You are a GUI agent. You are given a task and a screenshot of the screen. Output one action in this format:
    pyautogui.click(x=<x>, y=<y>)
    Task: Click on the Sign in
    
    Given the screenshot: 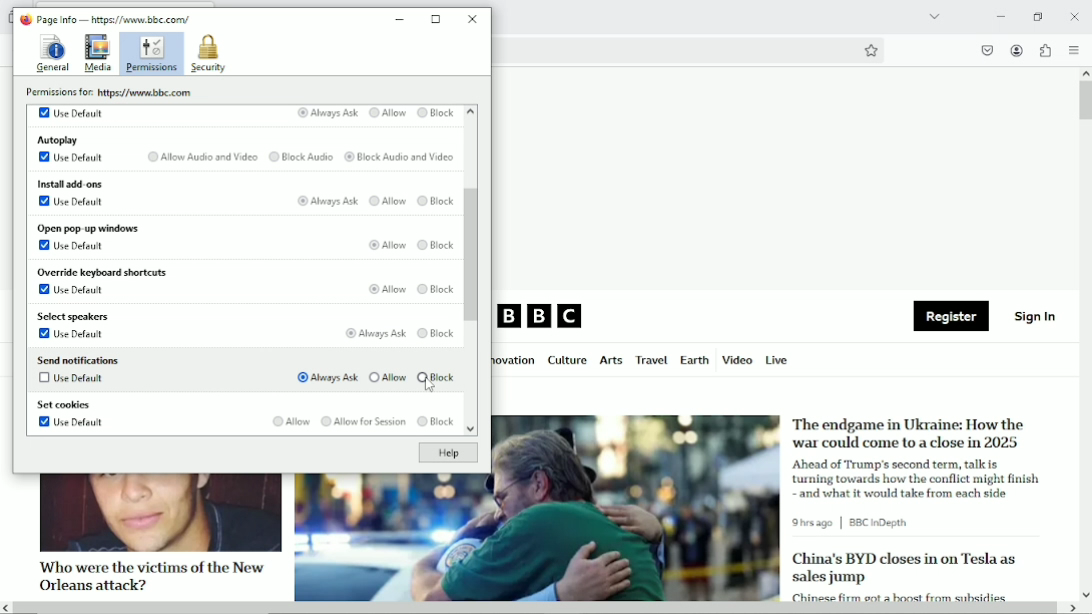 What is the action you would take?
    pyautogui.click(x=1036, y=315)
    